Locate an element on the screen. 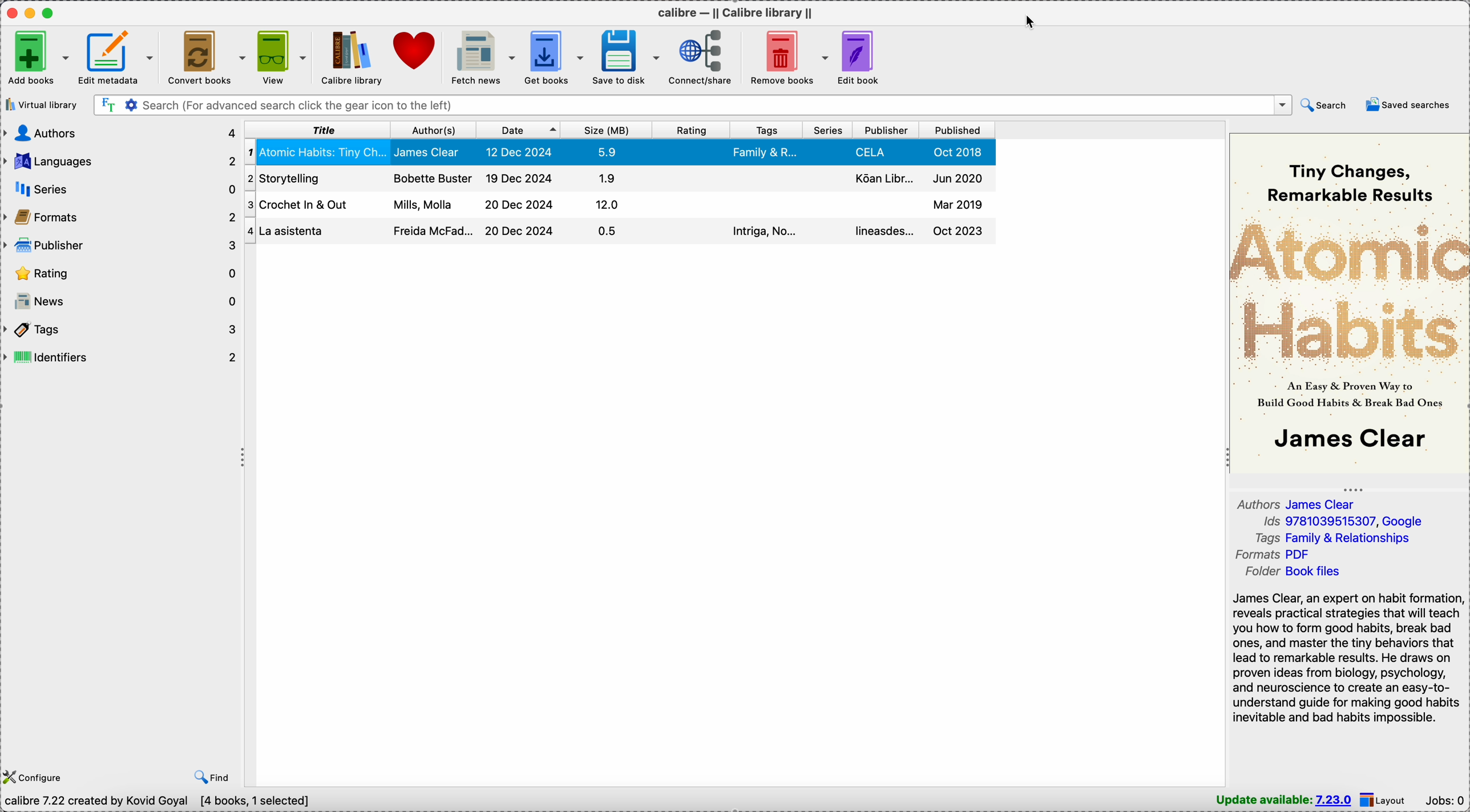  published is located at coordinates (959, 131).